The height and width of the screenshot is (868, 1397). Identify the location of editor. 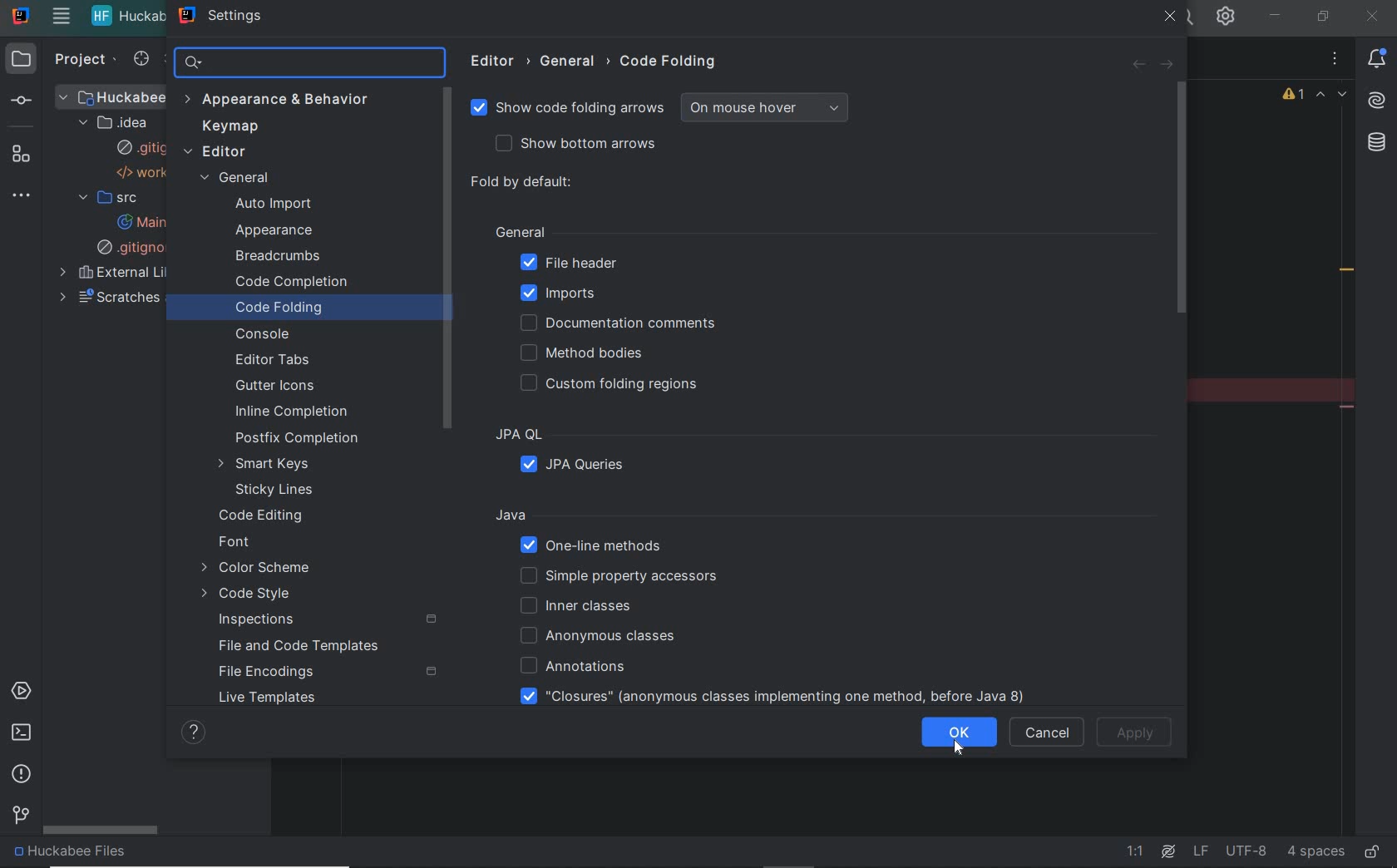
(500, 62).